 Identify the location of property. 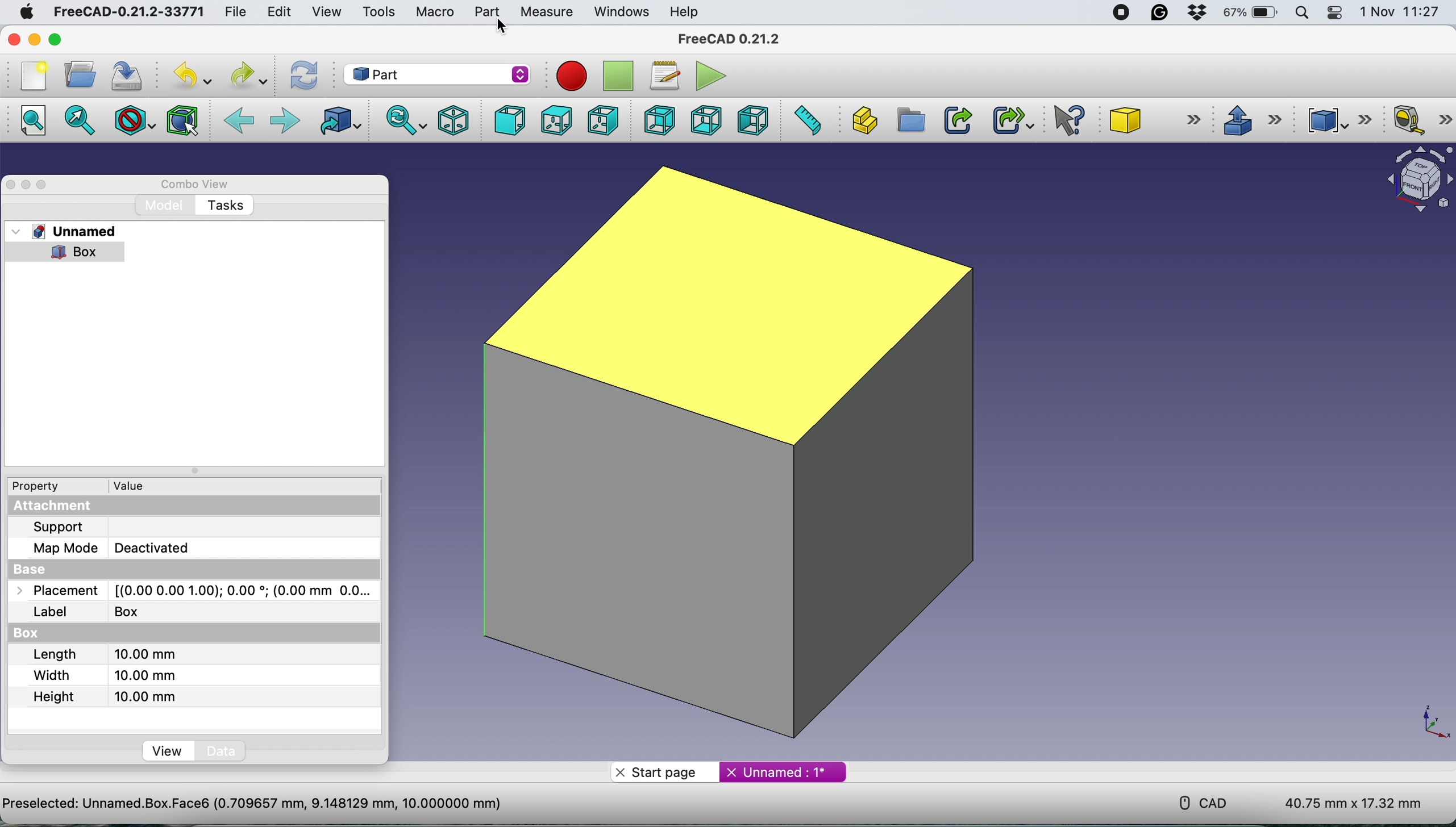
(44, 487).